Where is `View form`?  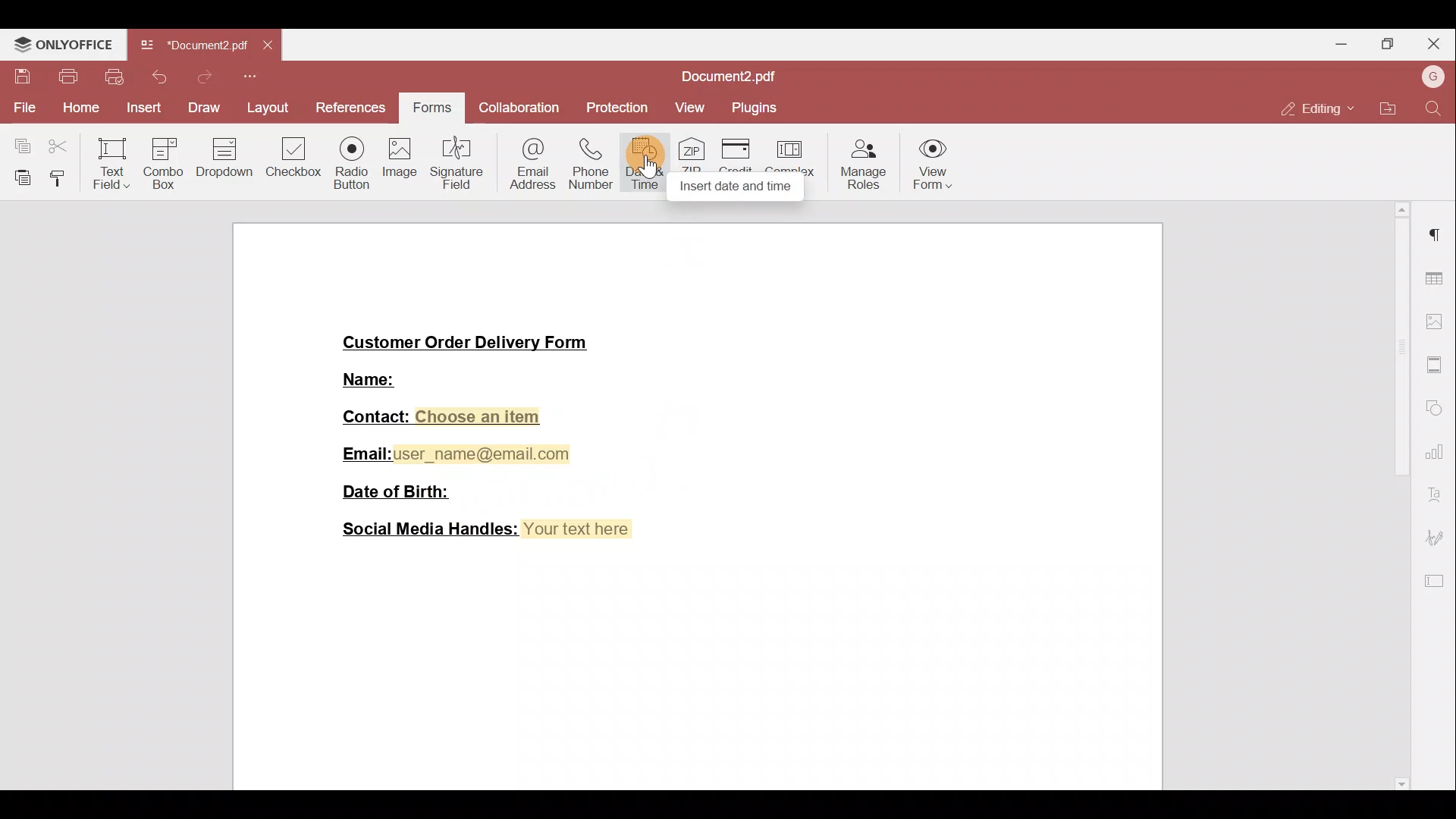 View form is located at coordinates (930, 168).